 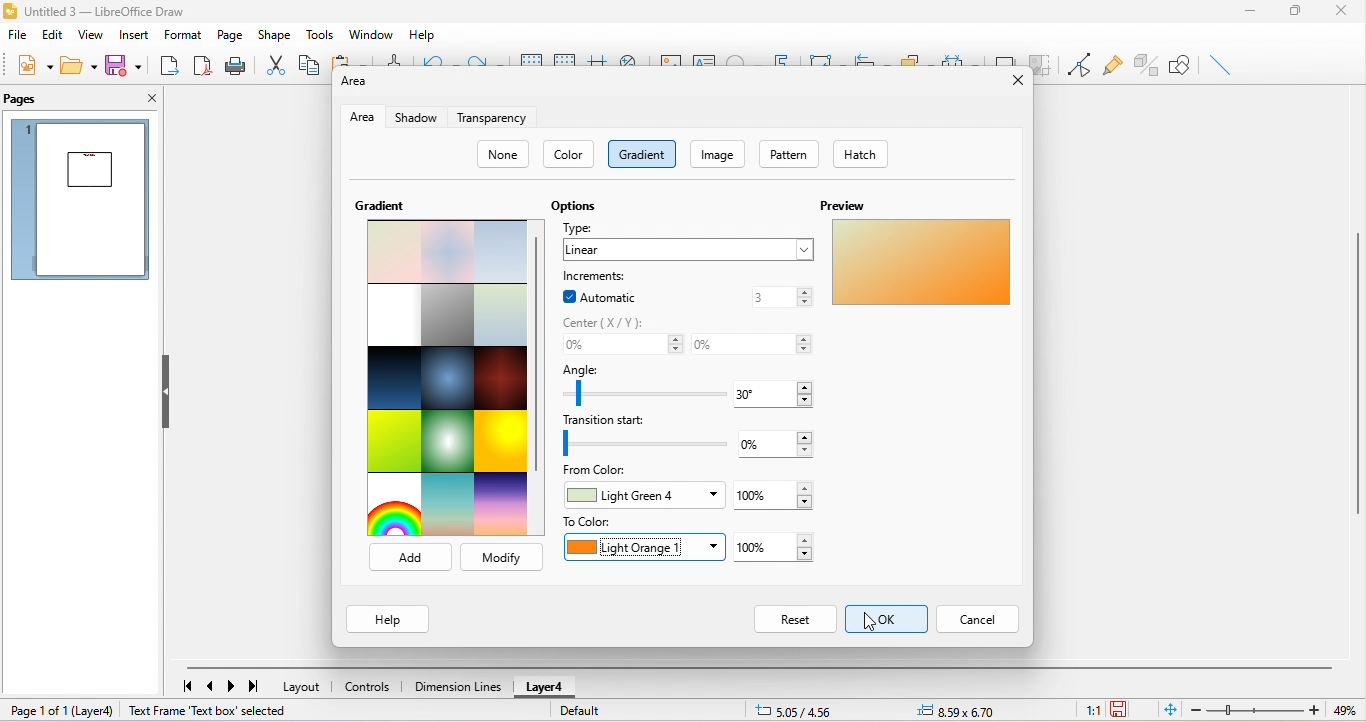 What do you see at coordinates (421, 36) in the screenshot?
I see `help` at bounding box center [421, 36].